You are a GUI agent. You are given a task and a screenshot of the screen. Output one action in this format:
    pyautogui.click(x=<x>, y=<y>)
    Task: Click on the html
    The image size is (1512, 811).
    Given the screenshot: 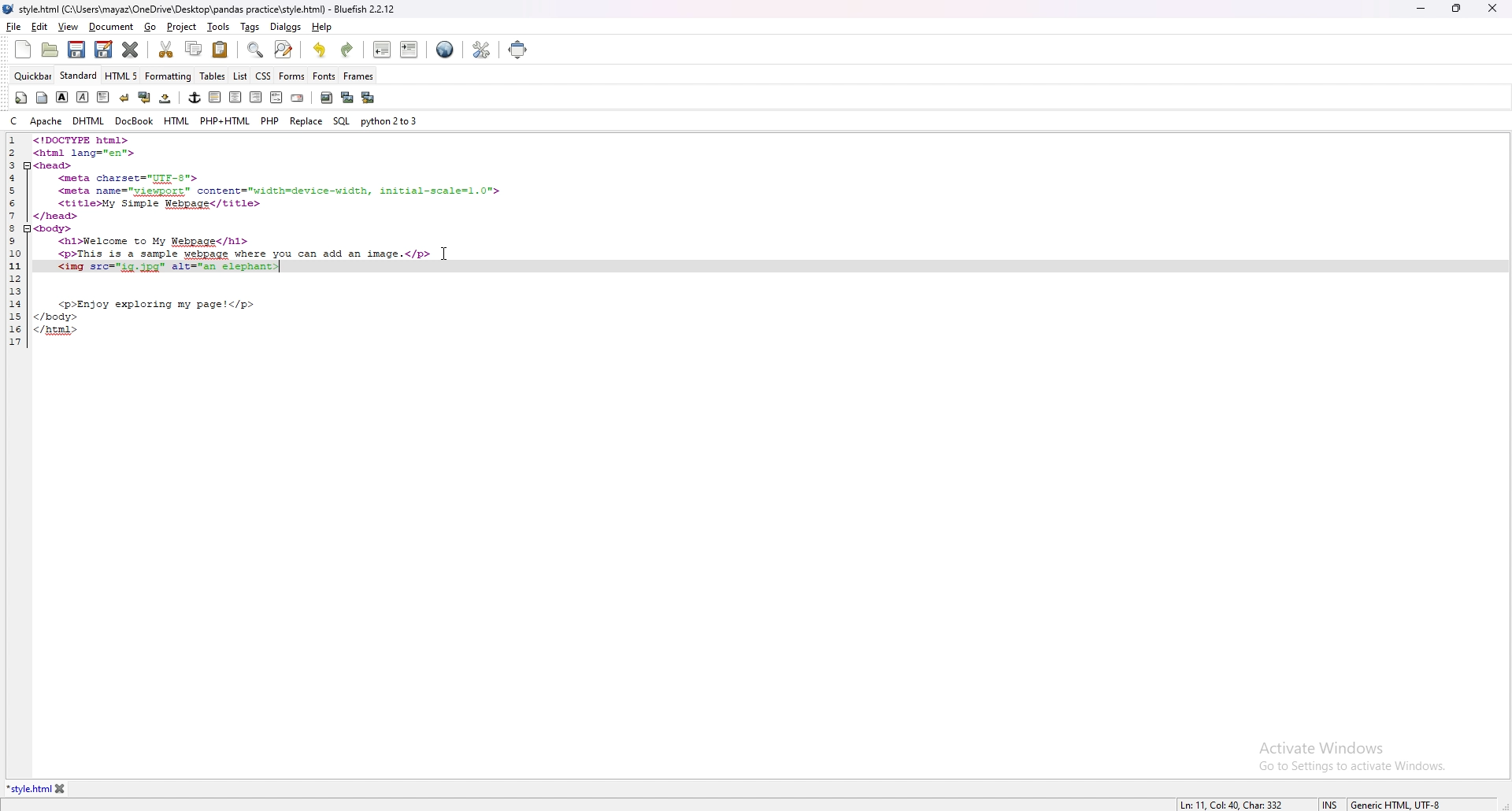 What is the action you would take?
    pyautogui.click(x=177, y=121)
    